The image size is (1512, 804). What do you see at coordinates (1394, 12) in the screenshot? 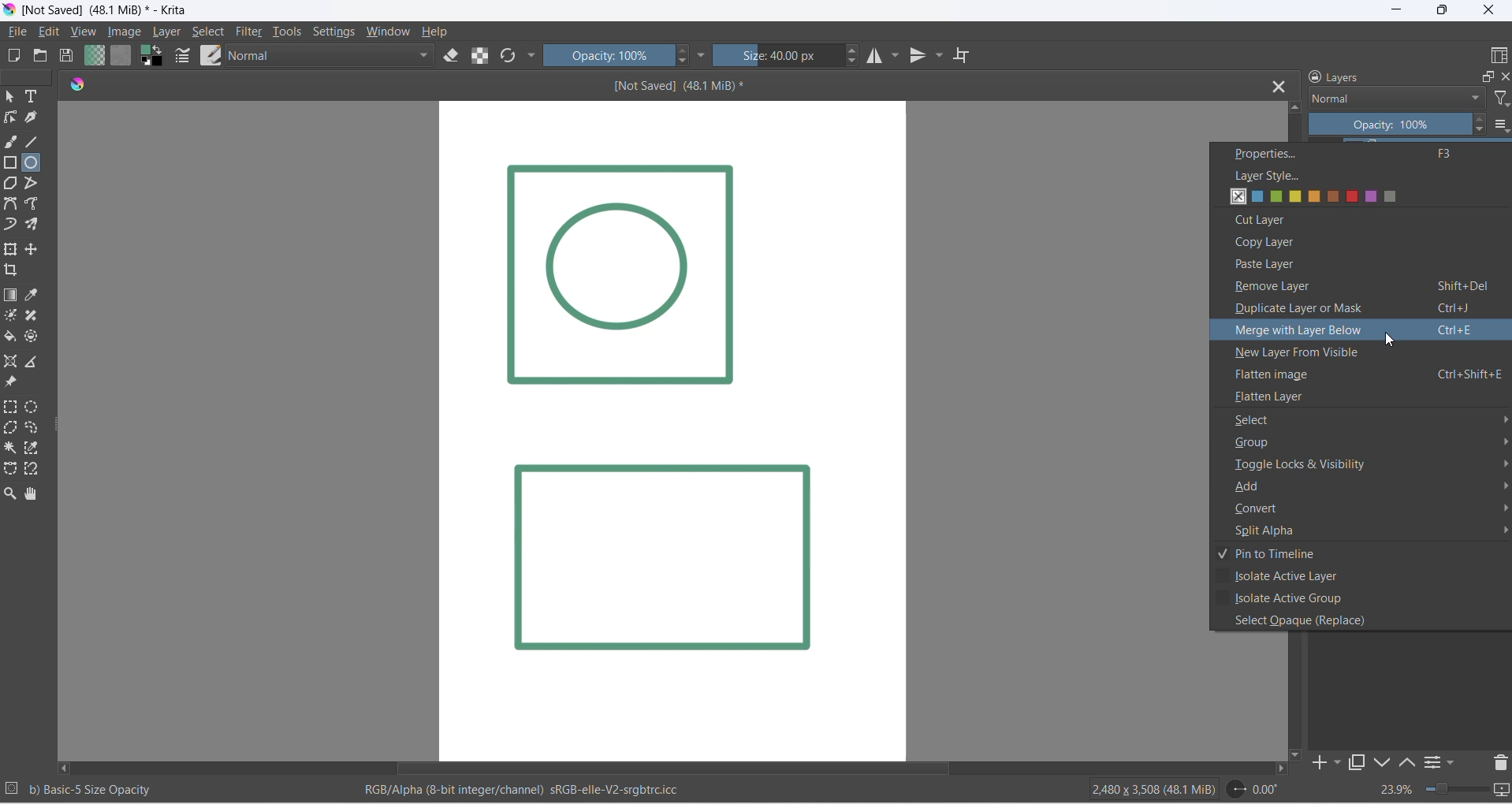
I see `minimize` at bounding box center [1394, 12].